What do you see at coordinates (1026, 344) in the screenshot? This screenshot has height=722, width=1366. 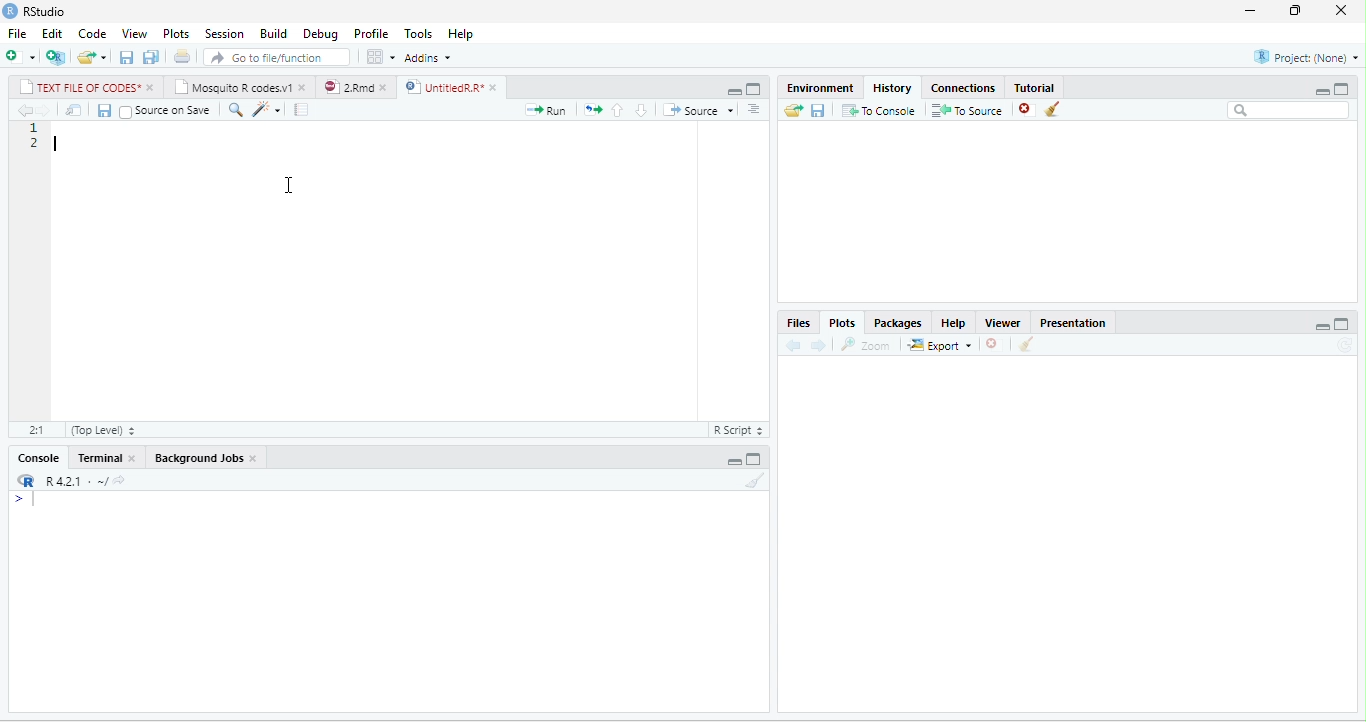 I see `clear` at bounding box center [1026, 344].